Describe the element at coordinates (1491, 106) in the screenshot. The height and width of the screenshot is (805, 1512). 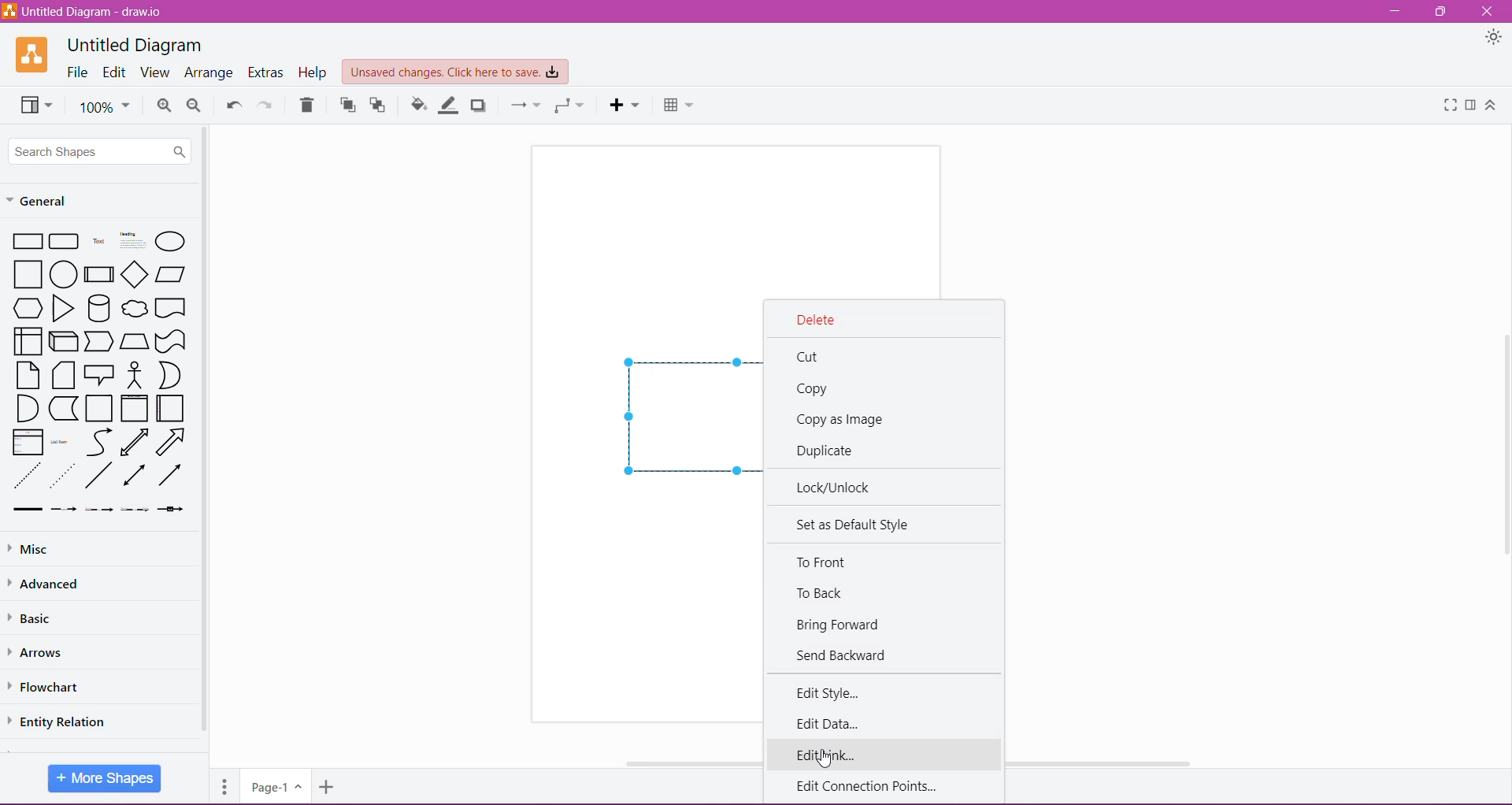
I see `Expand/Collapse` at that location.